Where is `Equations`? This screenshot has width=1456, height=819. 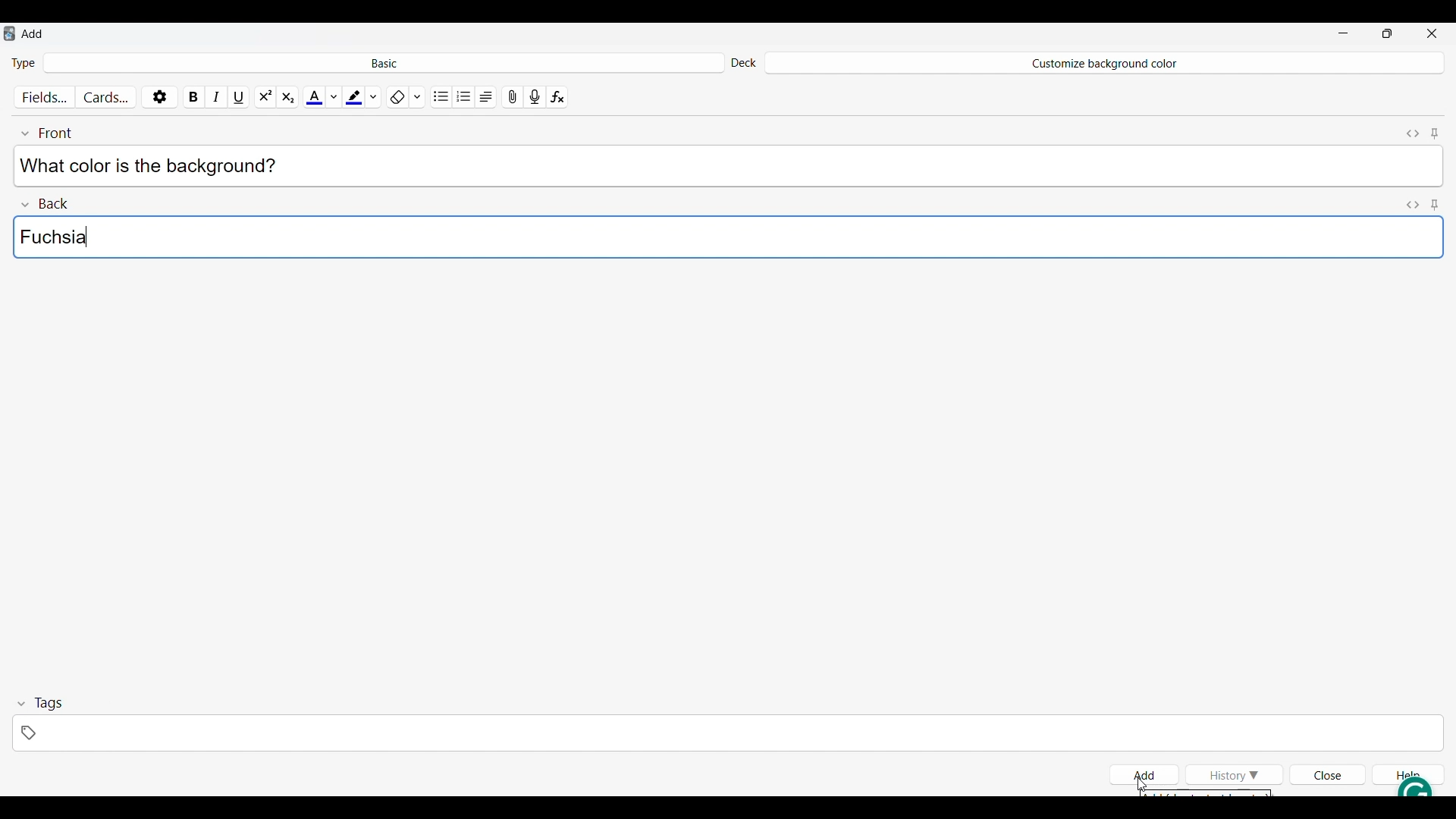 Equations is located at coordinates (557, 95).